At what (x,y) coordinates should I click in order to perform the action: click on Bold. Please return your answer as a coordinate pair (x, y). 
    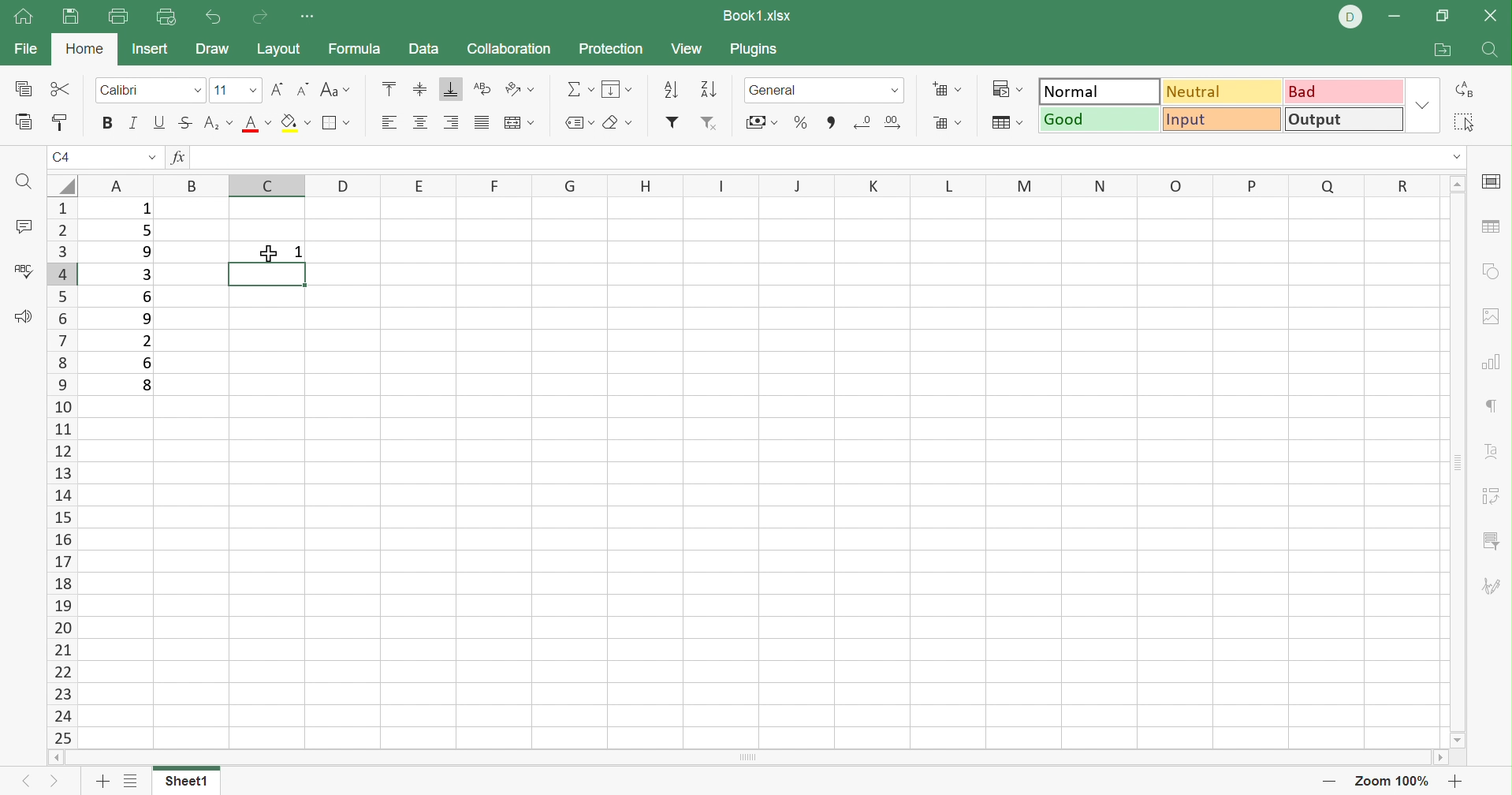
    Looking at the image, I should click on (110, 124).